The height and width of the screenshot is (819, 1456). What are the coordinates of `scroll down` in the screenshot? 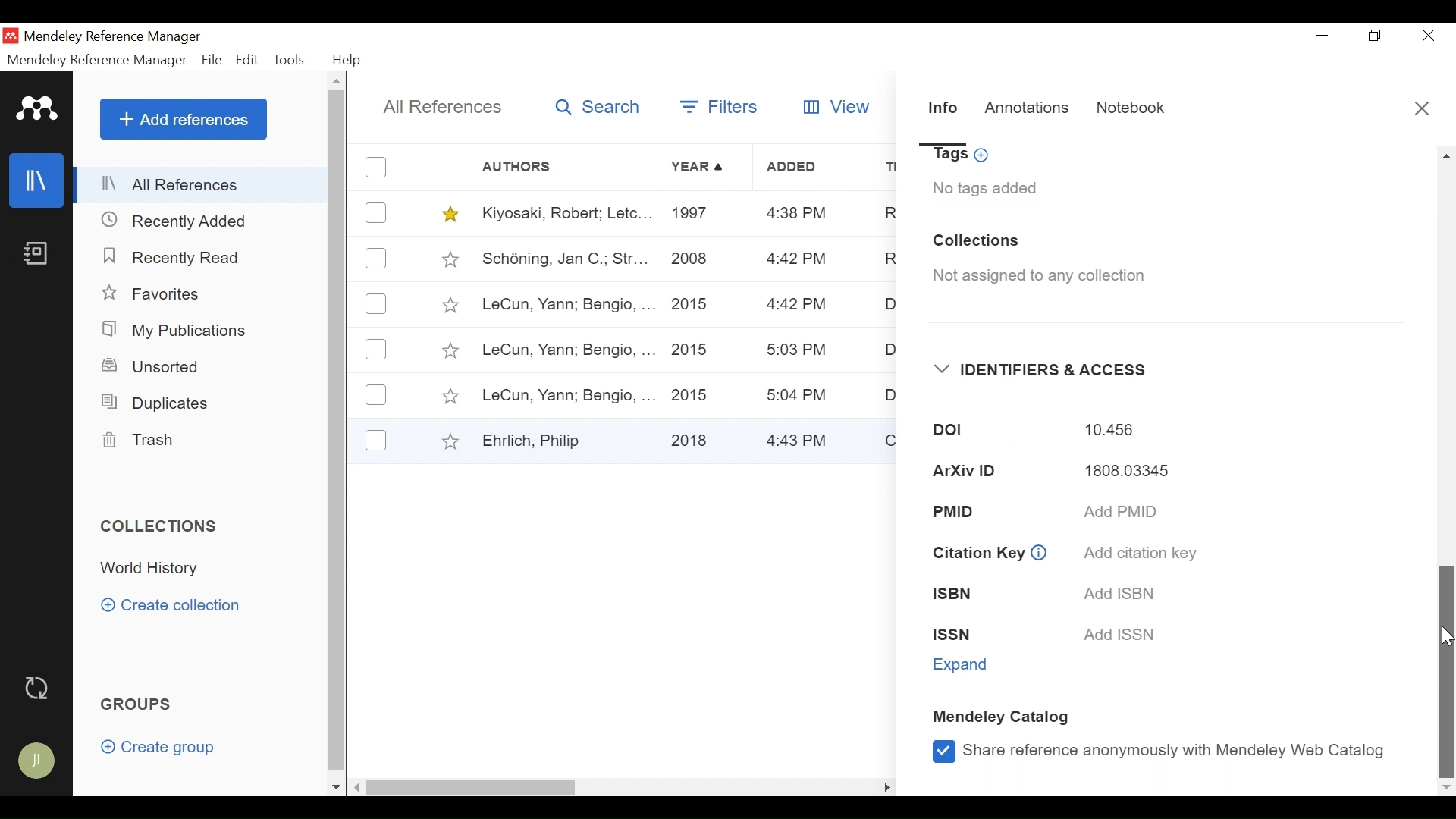 It's located at (1447, 789).